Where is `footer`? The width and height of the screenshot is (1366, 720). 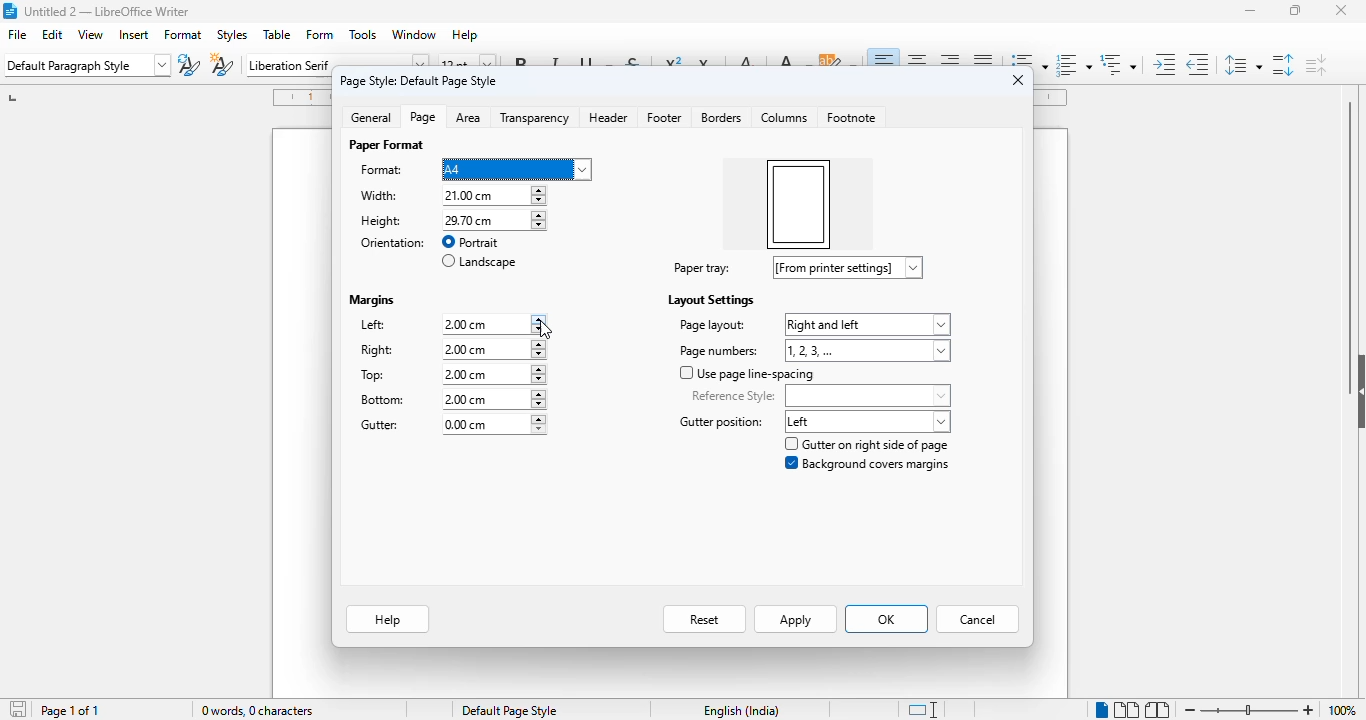 footer is located at coordinates (663, 117).